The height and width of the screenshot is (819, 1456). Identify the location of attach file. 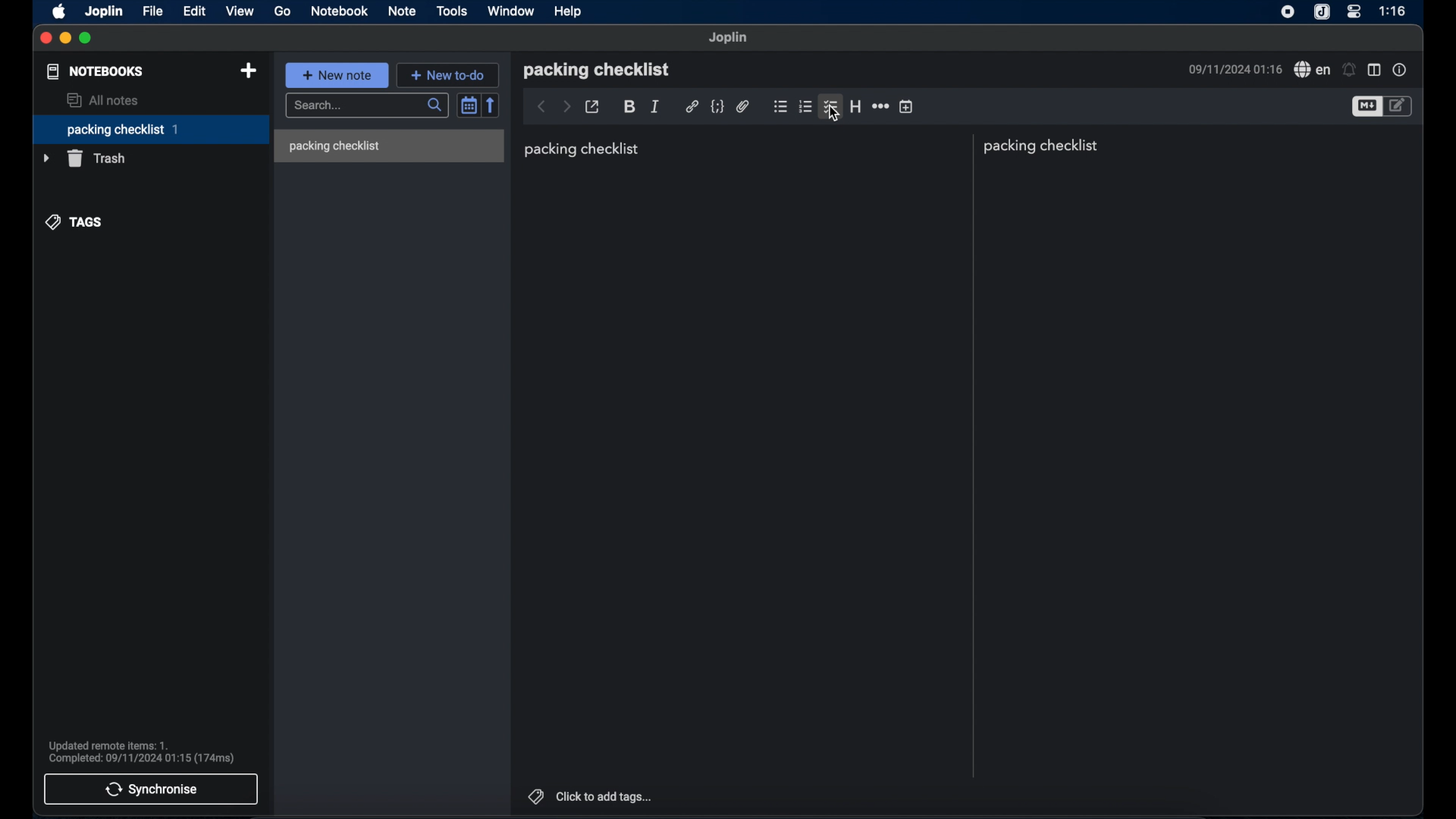
(742, 106).